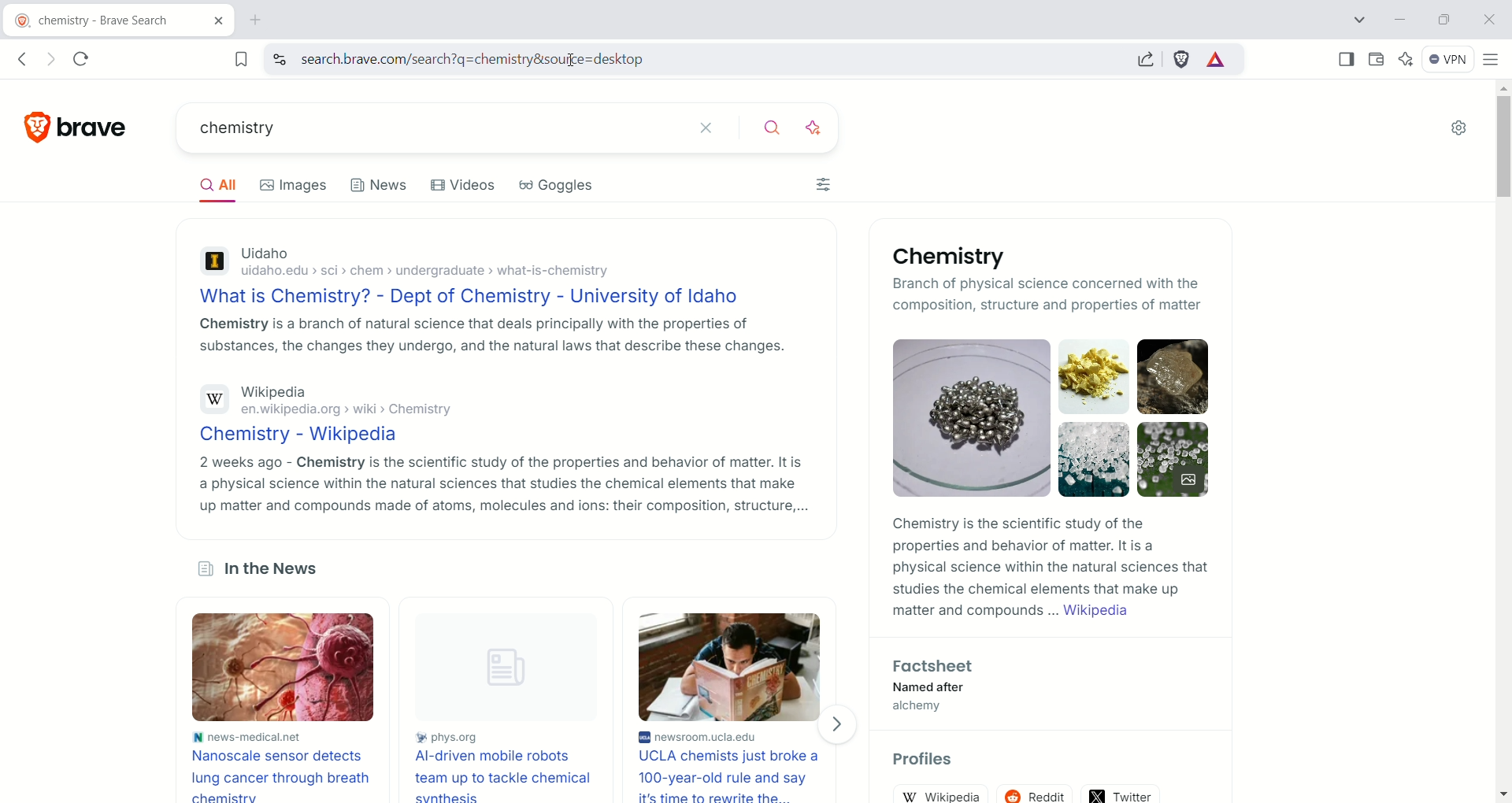  What do you see at coordinates (1503, 442) in the screenshot?
I see `vertical scroll bar` at bounding box center [1503, 442].